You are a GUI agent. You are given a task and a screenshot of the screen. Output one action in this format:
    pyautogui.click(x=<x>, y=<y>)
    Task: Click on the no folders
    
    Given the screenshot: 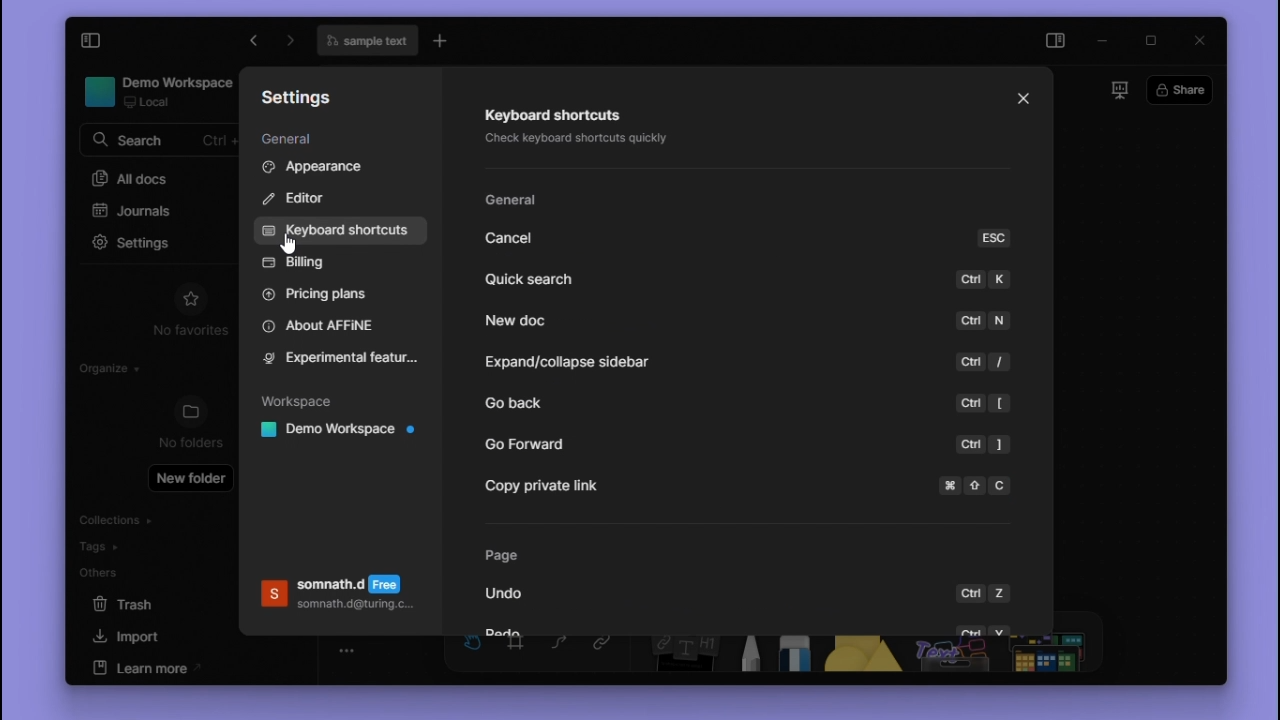 What is the action you would take?
    pyautogui.click(x=188, y=441)
    